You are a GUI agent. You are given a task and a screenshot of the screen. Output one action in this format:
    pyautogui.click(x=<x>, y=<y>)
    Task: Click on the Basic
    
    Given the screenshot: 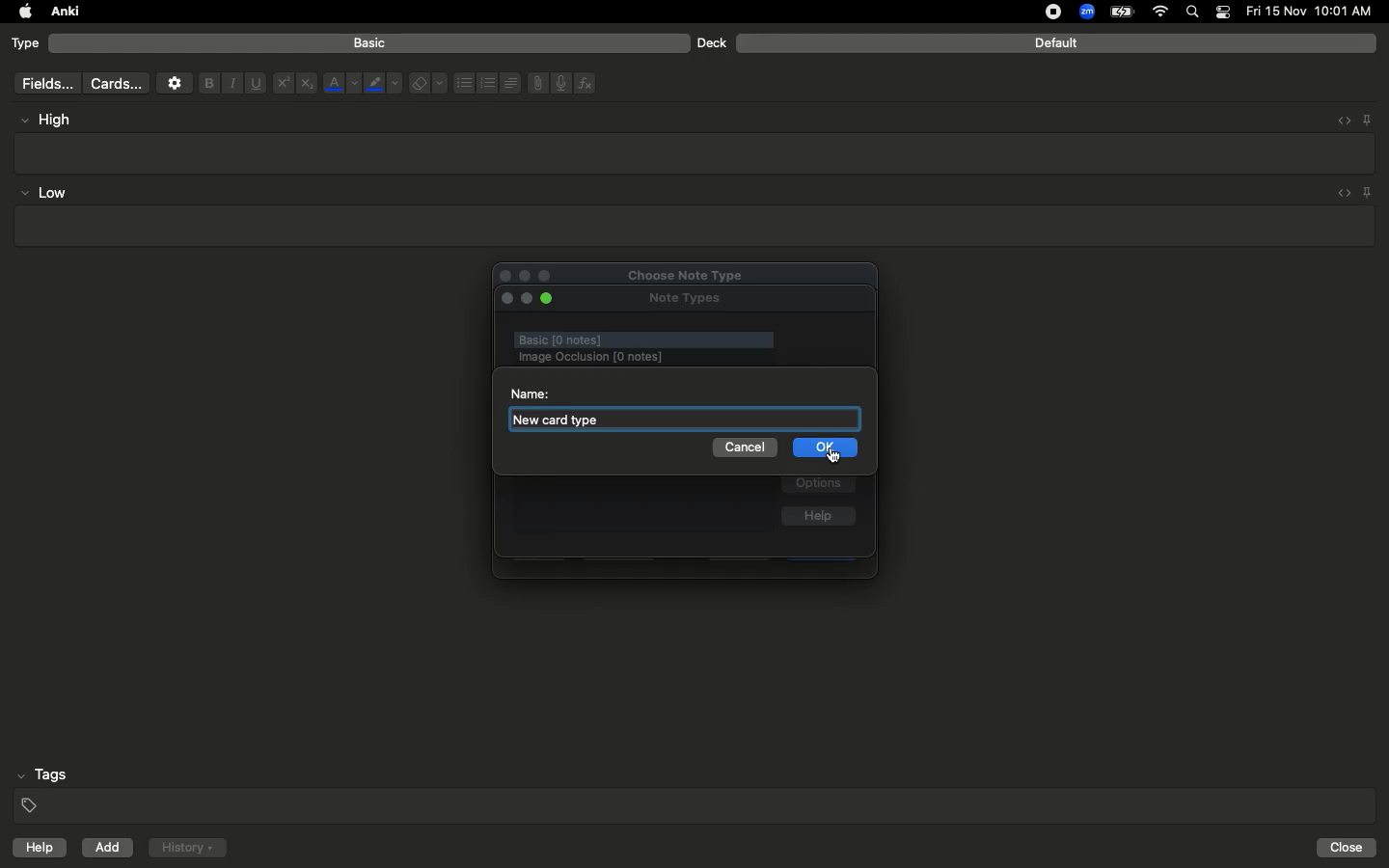 What is the action you would take?
    pyautogui.click(x=370, y=43)
    